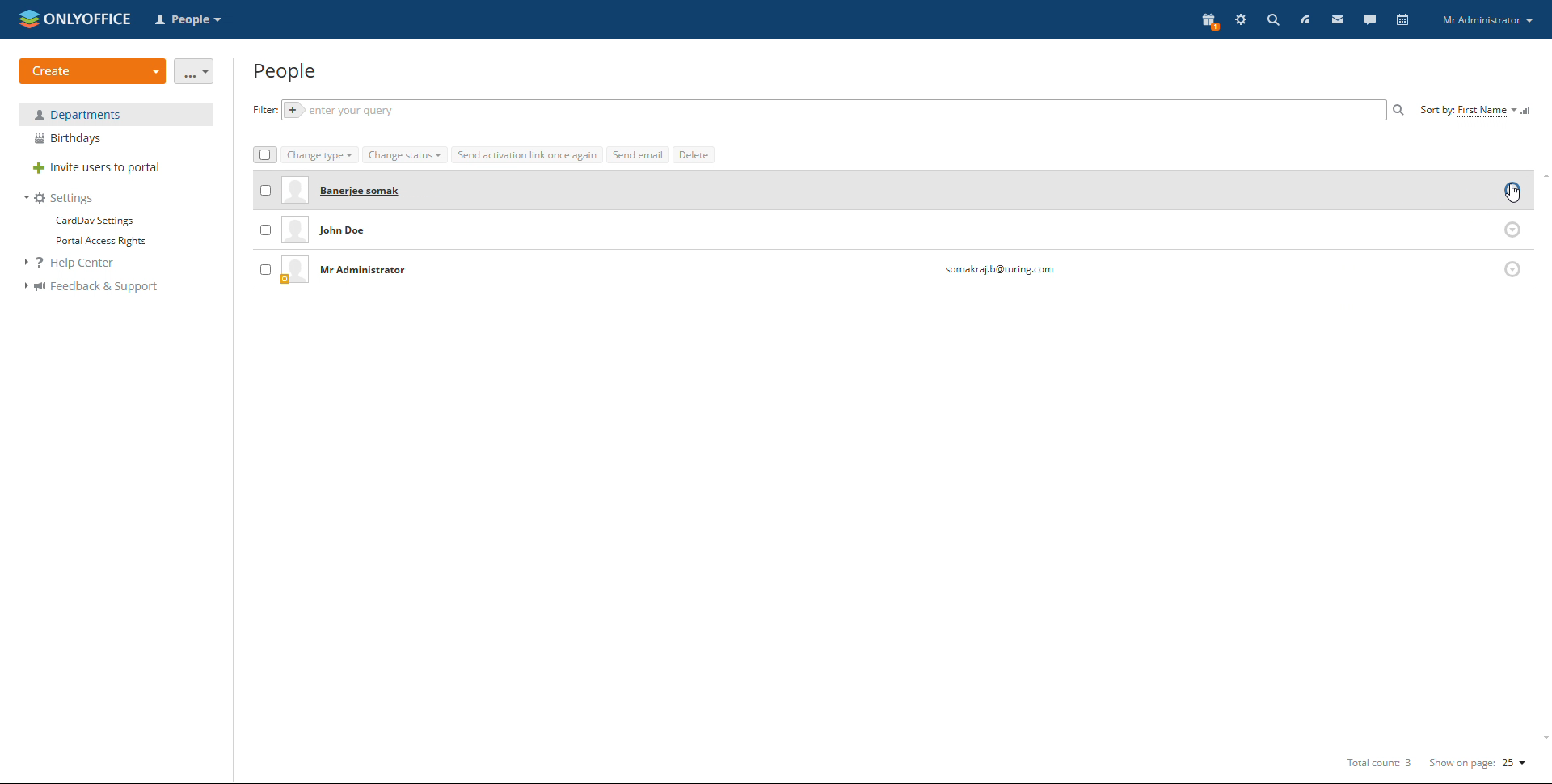 The height and width of the screenshot is (784, 1552). Describe the element at coordinates (116, 169) in the screenshot. I see `invite users to portal` at that location.